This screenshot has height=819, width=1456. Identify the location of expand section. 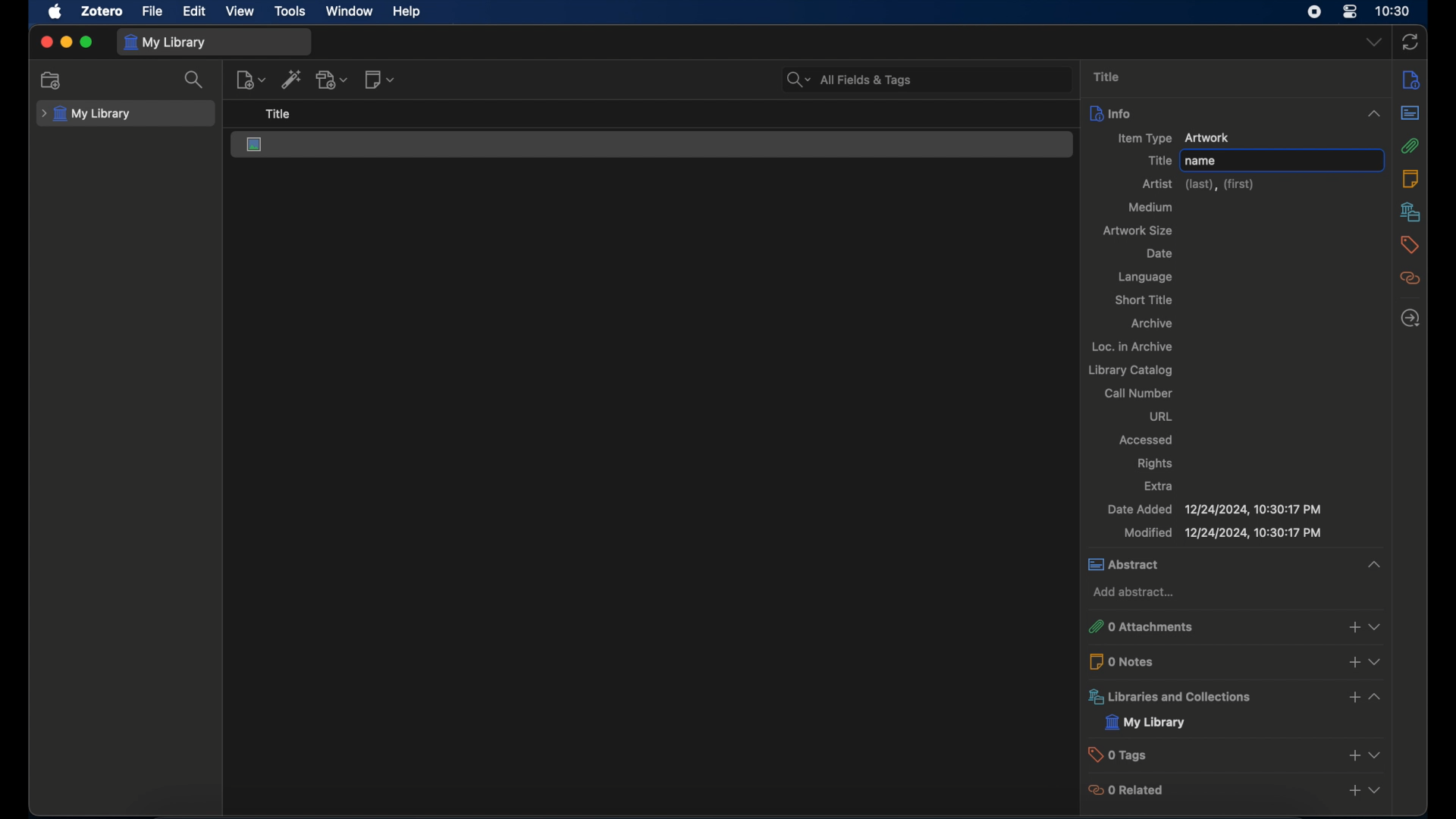
(1380, 626).